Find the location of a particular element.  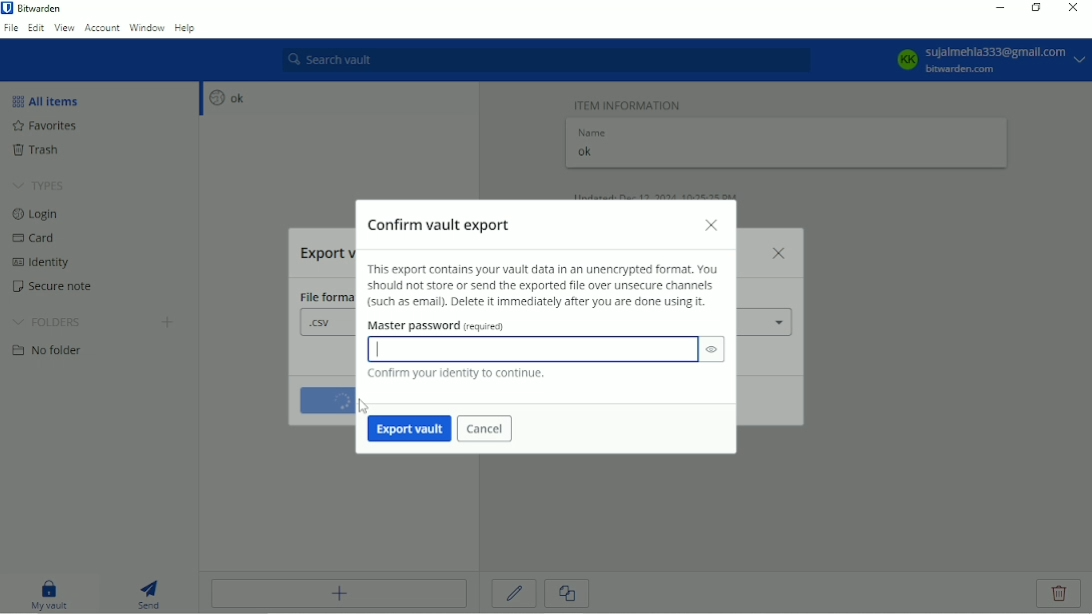

Restore down is located at coordinates (1036, 7).